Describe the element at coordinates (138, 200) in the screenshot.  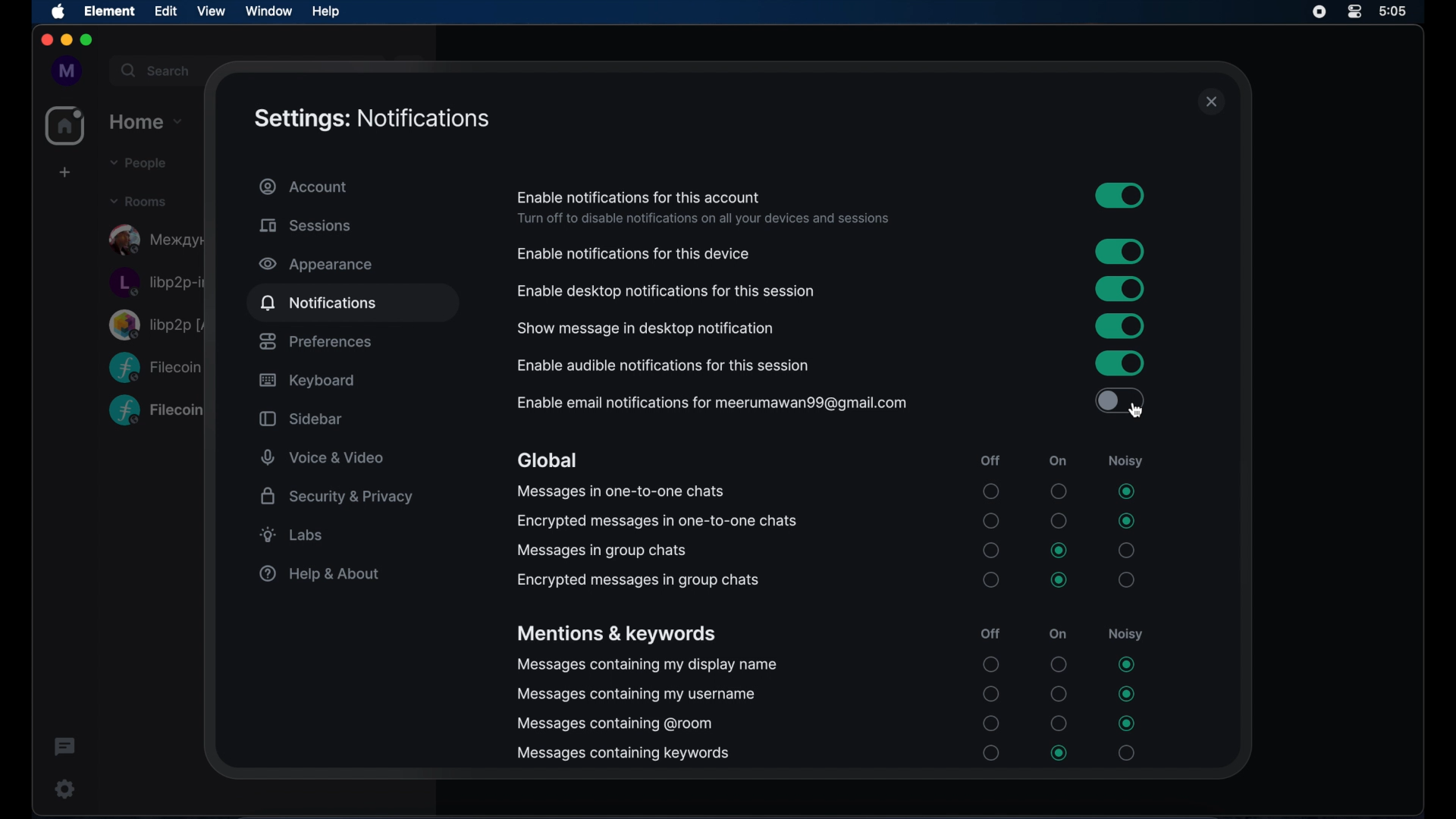
I see `rooms` at that location.